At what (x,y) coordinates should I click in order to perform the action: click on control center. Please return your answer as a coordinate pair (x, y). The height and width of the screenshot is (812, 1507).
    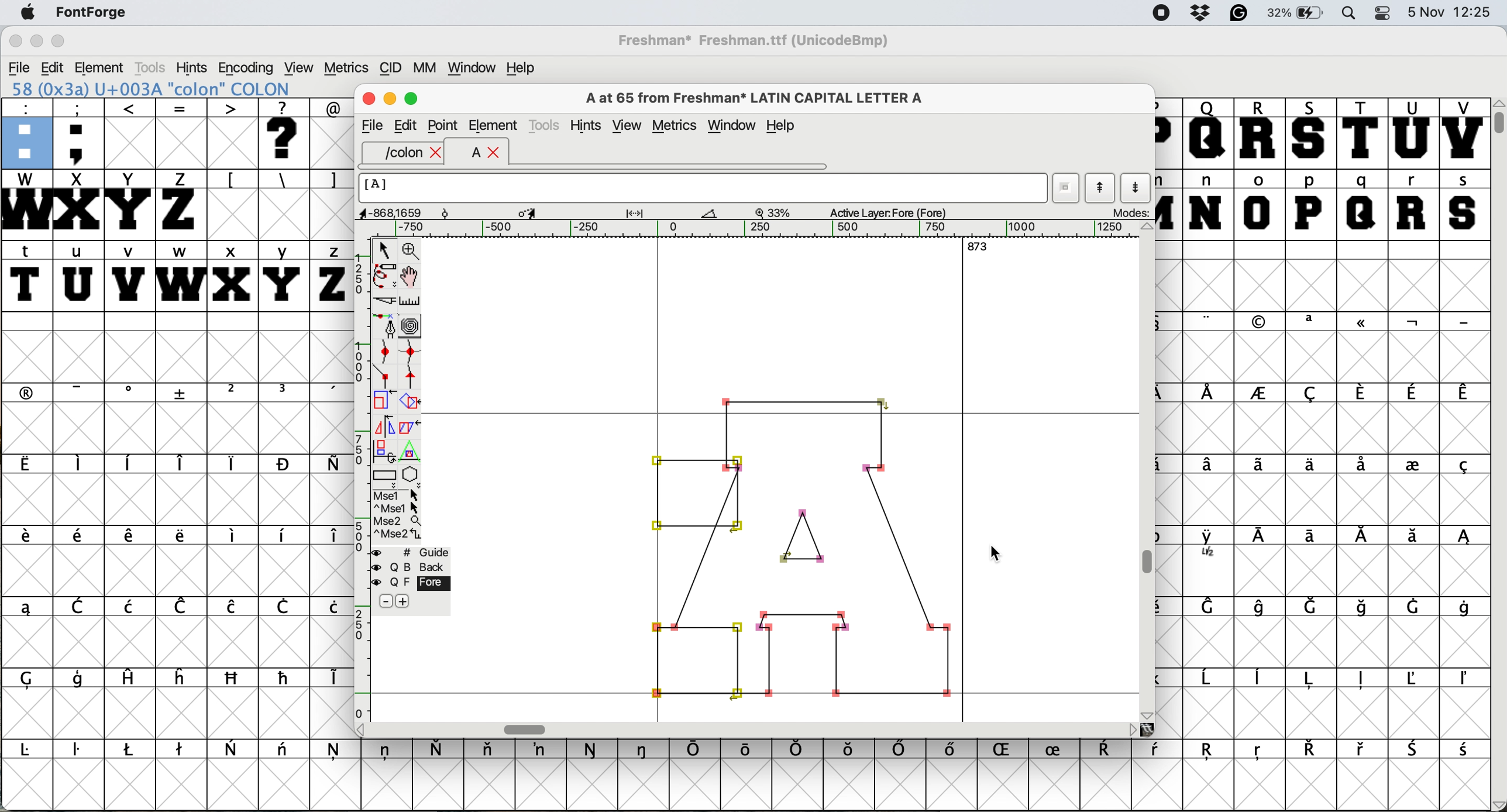
    Looking at the image, I should click on (1384, 14).